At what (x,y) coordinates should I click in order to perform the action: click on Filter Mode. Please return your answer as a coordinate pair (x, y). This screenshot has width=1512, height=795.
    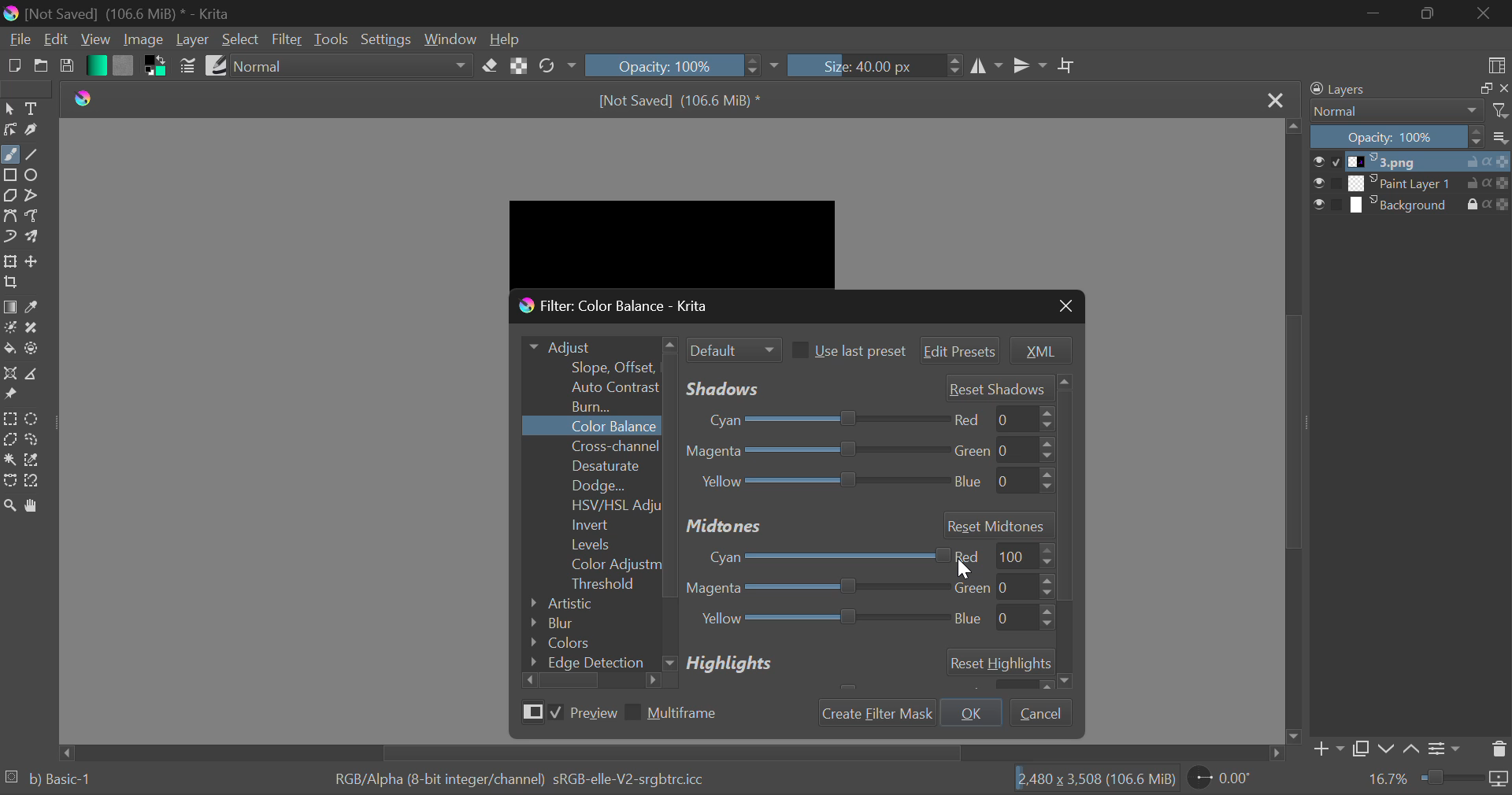
    Looking at the image, I should click on (732, 347).